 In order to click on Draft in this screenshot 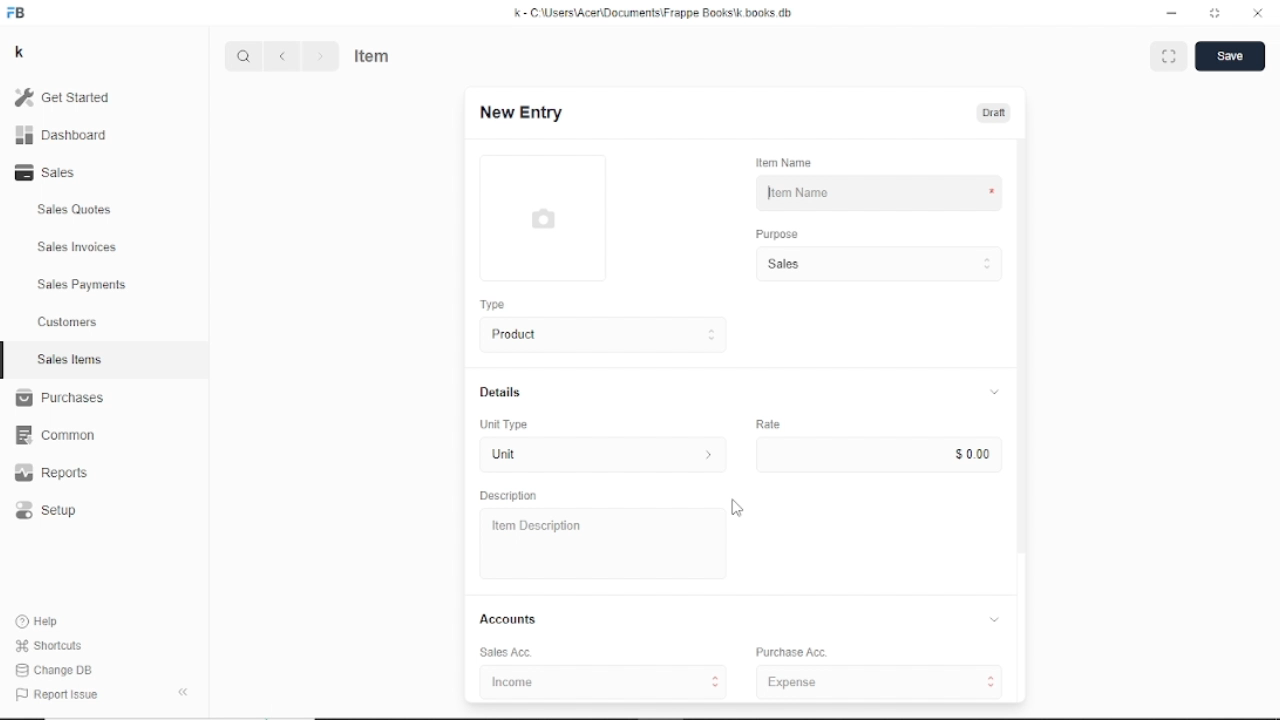, I will do `click(996, 113)`.